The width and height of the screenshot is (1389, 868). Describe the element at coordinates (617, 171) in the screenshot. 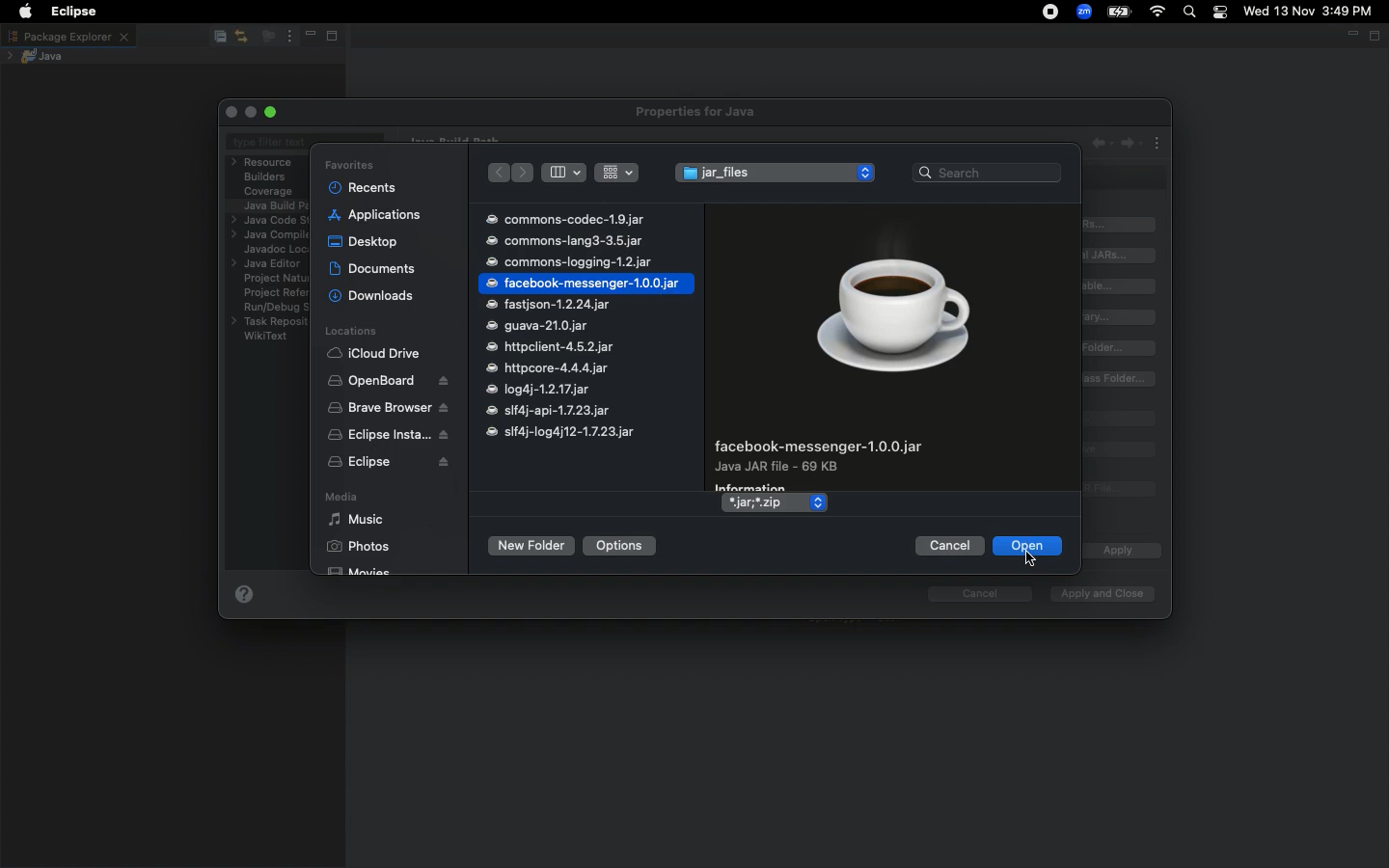

I see `view rows` at that location.